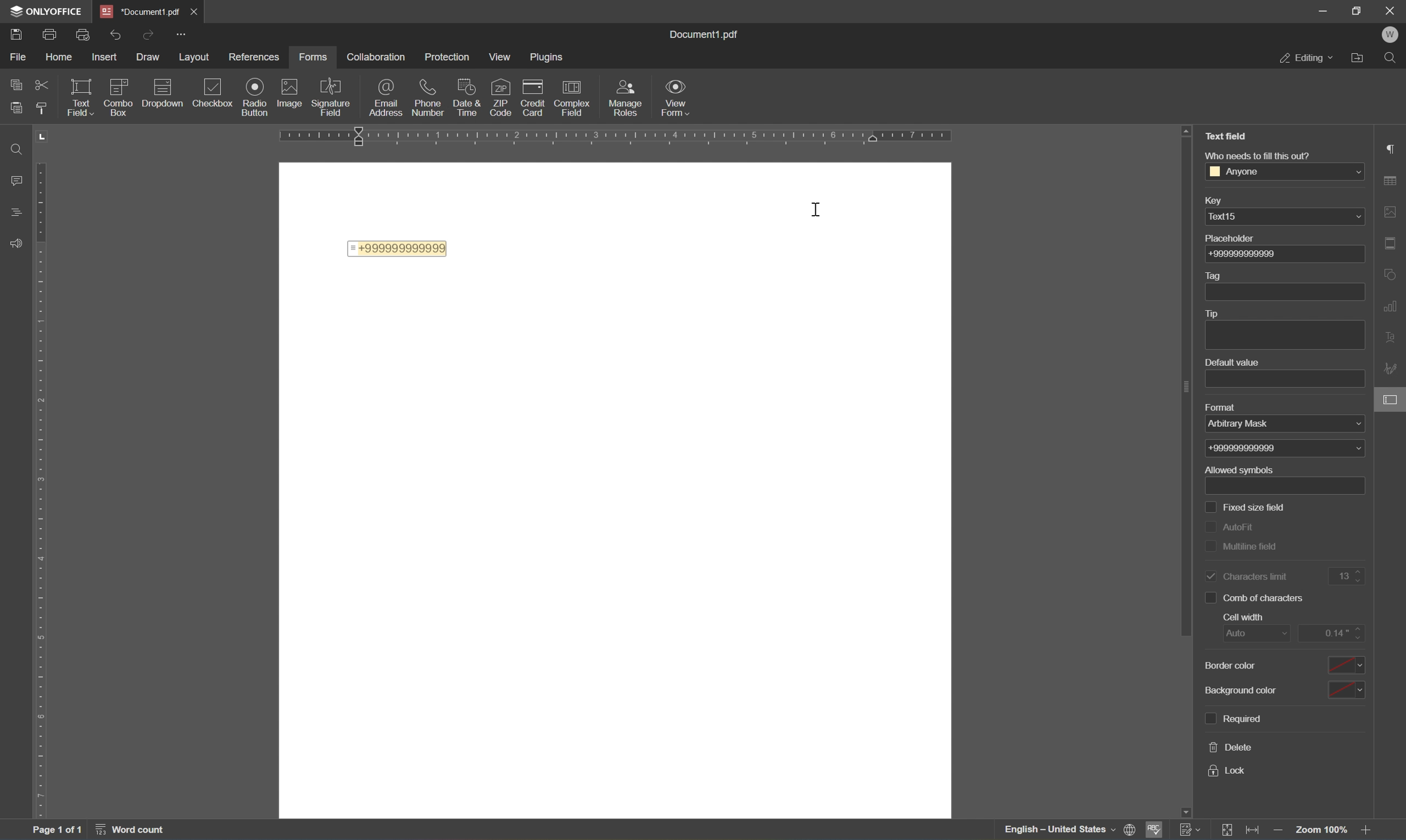 This screenshot has width=1406, height=840. What do you see at coordinates (1245, 526) in the screenshot?
I see `AutoFit` at bounding box center [1245, 526].